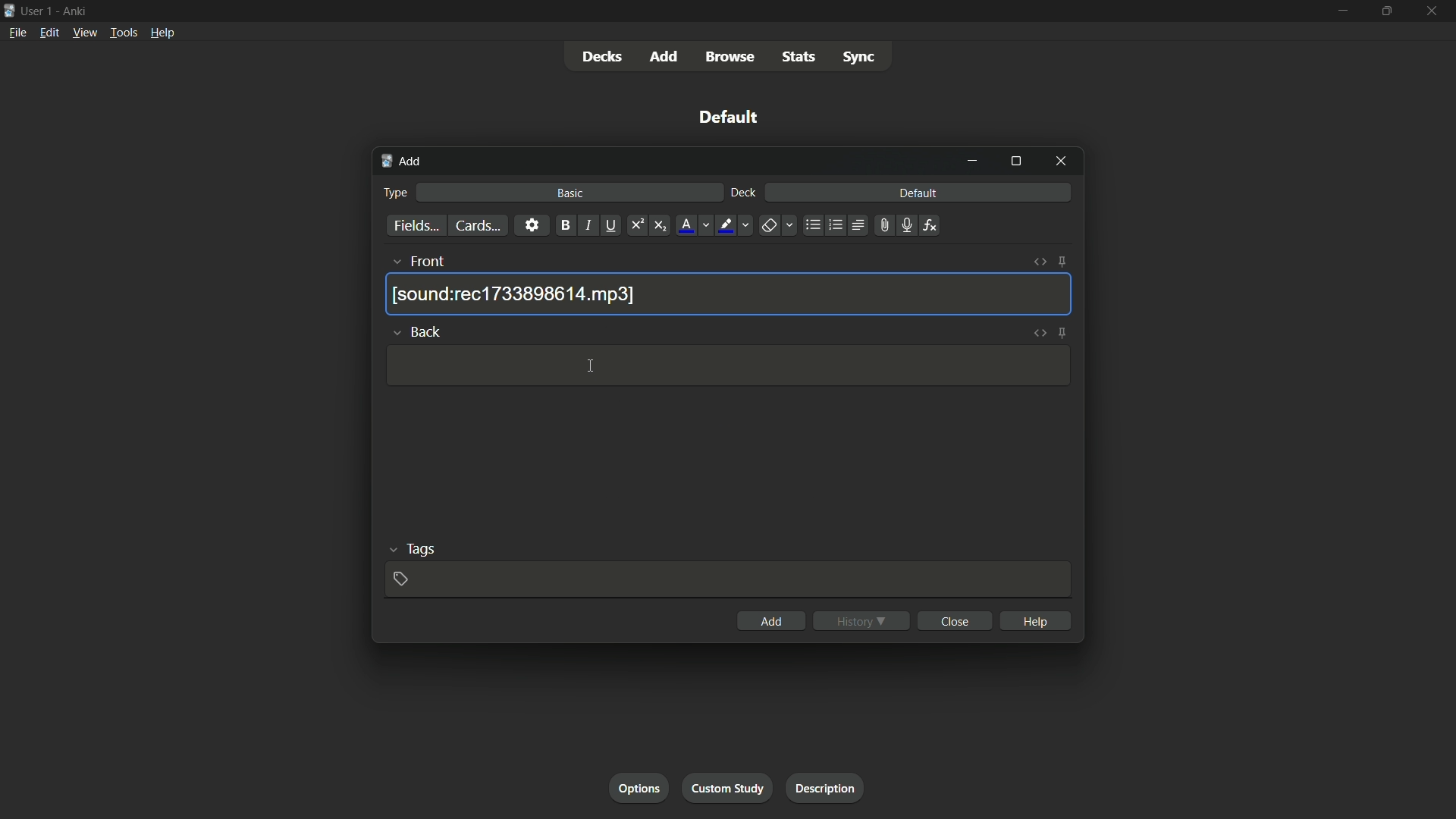 The image size is (1456, 819). I want to click on maximize, so click(1015, 162).